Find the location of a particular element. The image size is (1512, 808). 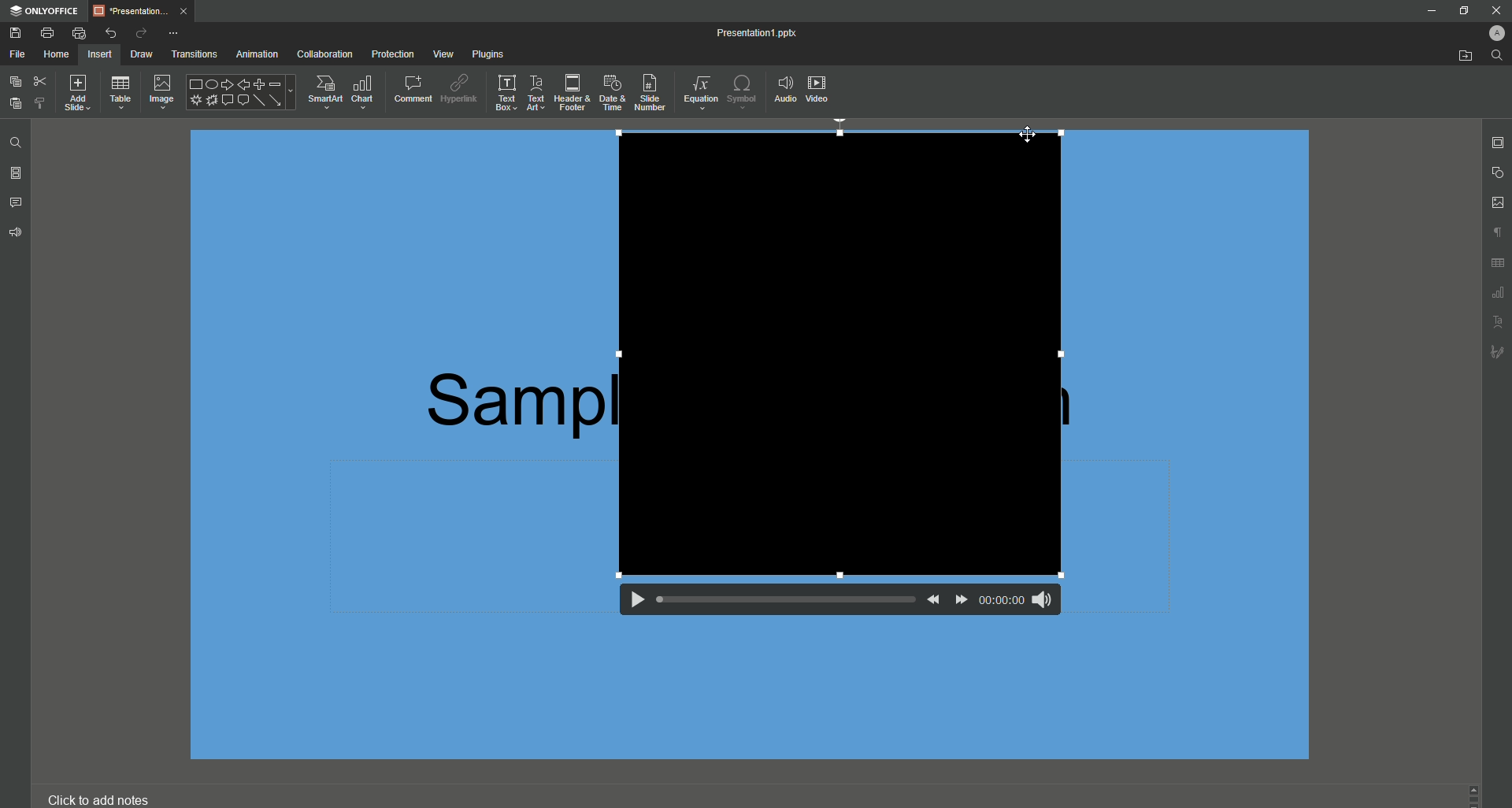

Chart is located at coordinates (365, 91).